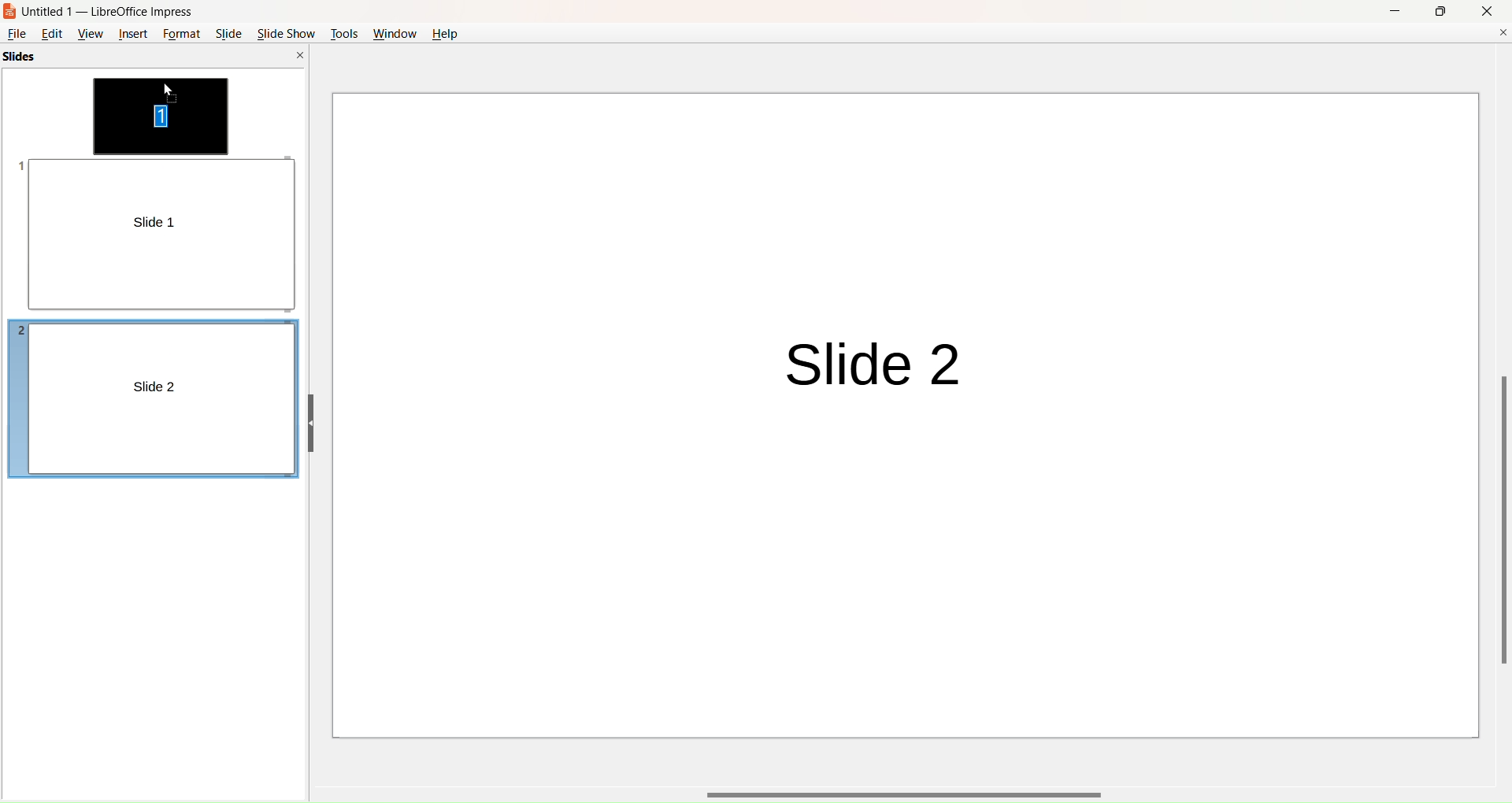 The image size is (1512, 803). I want to click on vertical scroll bar, so click(1499, 520).